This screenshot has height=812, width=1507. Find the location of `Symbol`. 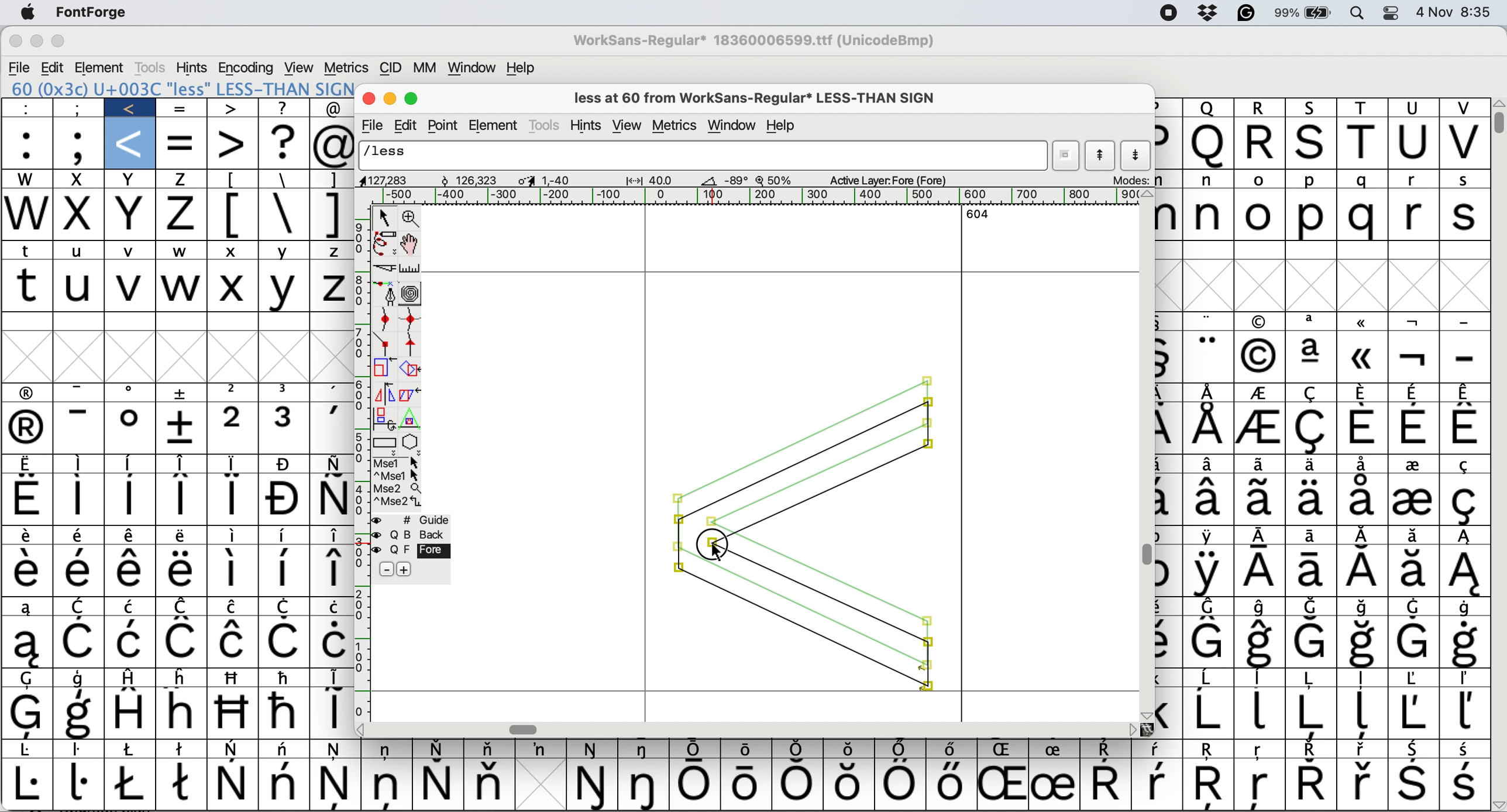

Symbol is located at coordinates (1209, 464).